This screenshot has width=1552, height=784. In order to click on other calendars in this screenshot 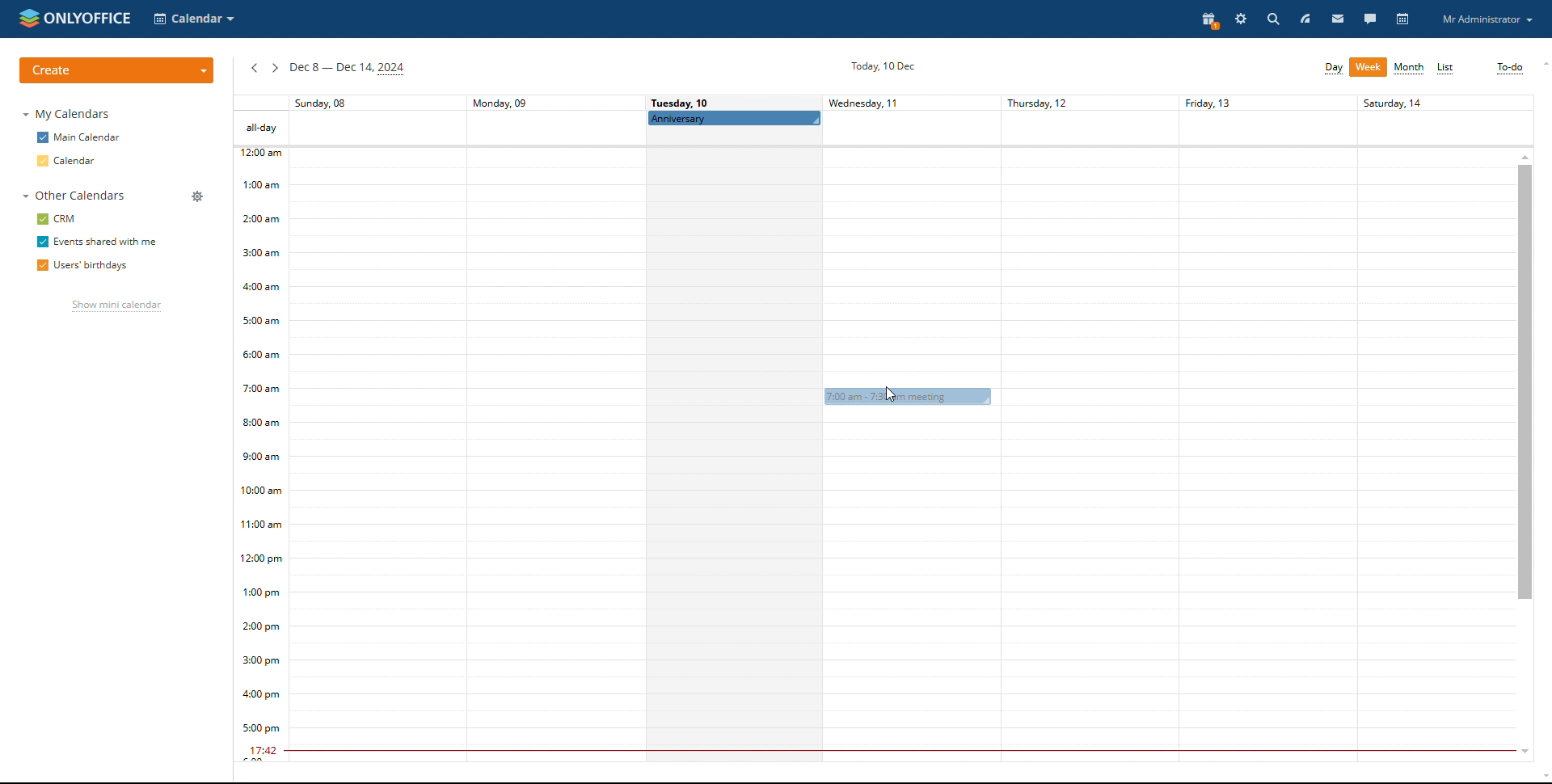, I will do `click(71, 196)`.